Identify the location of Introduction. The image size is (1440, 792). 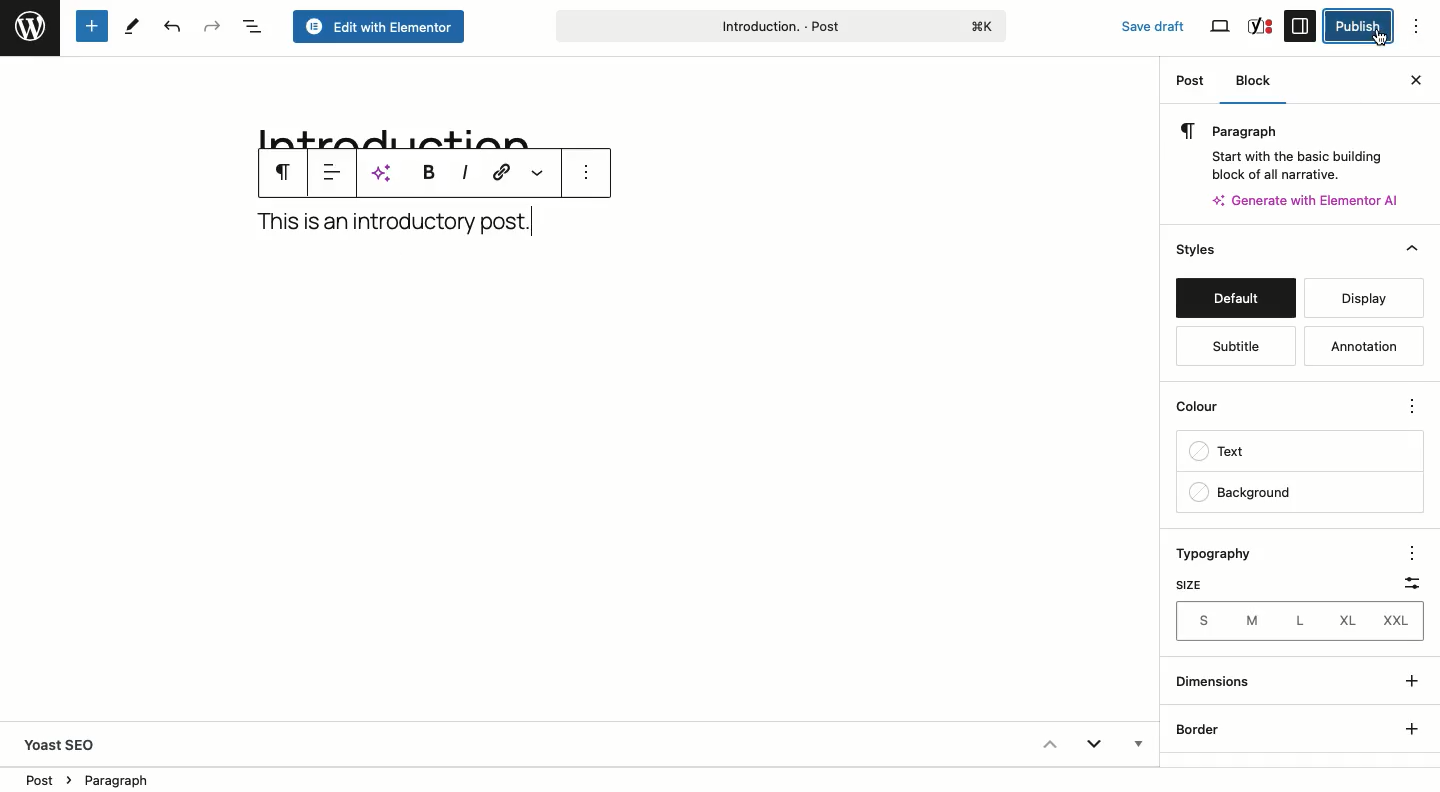
(387, 129).